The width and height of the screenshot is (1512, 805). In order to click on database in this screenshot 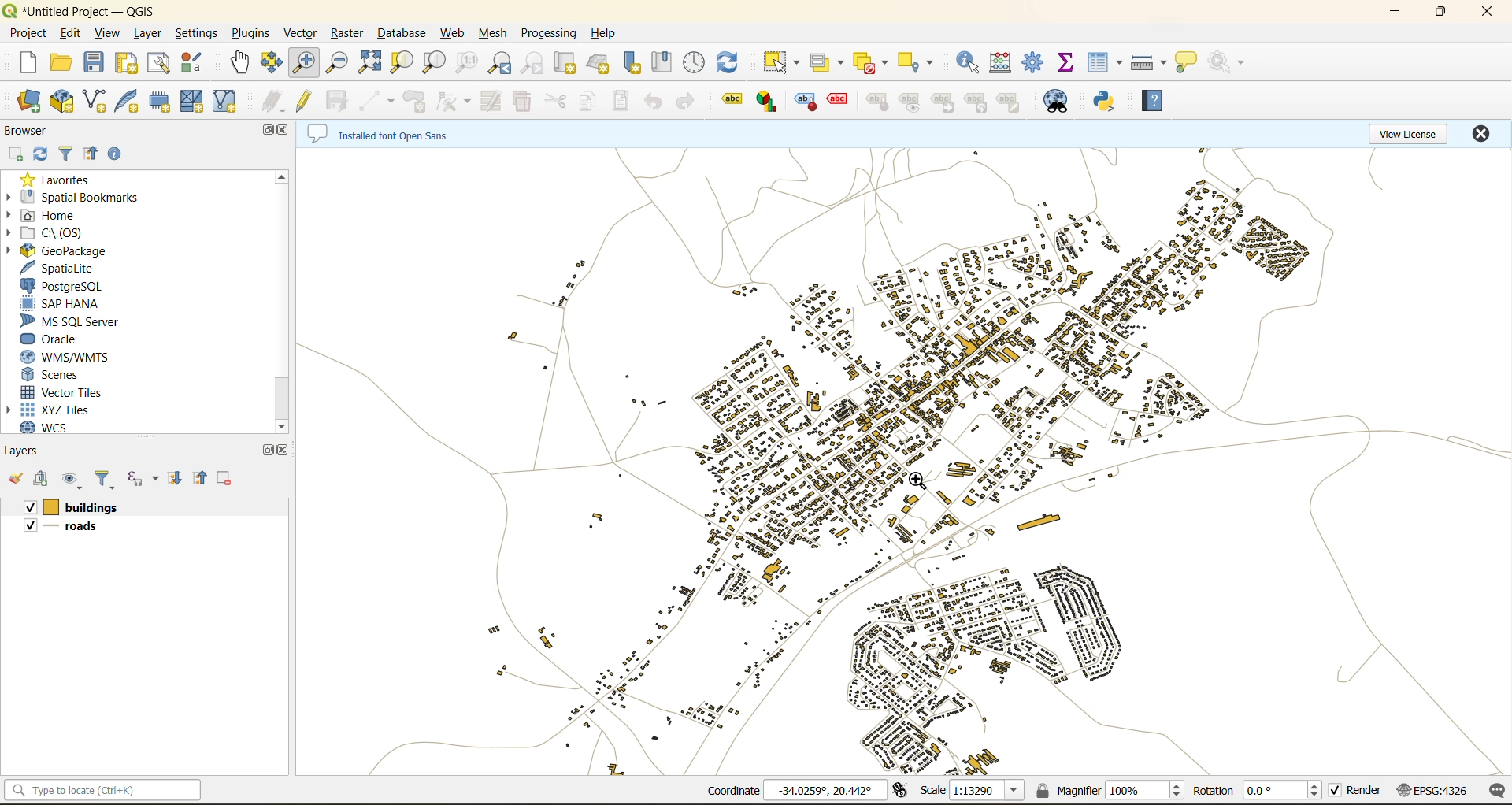, I will do `click(406, 34)`.